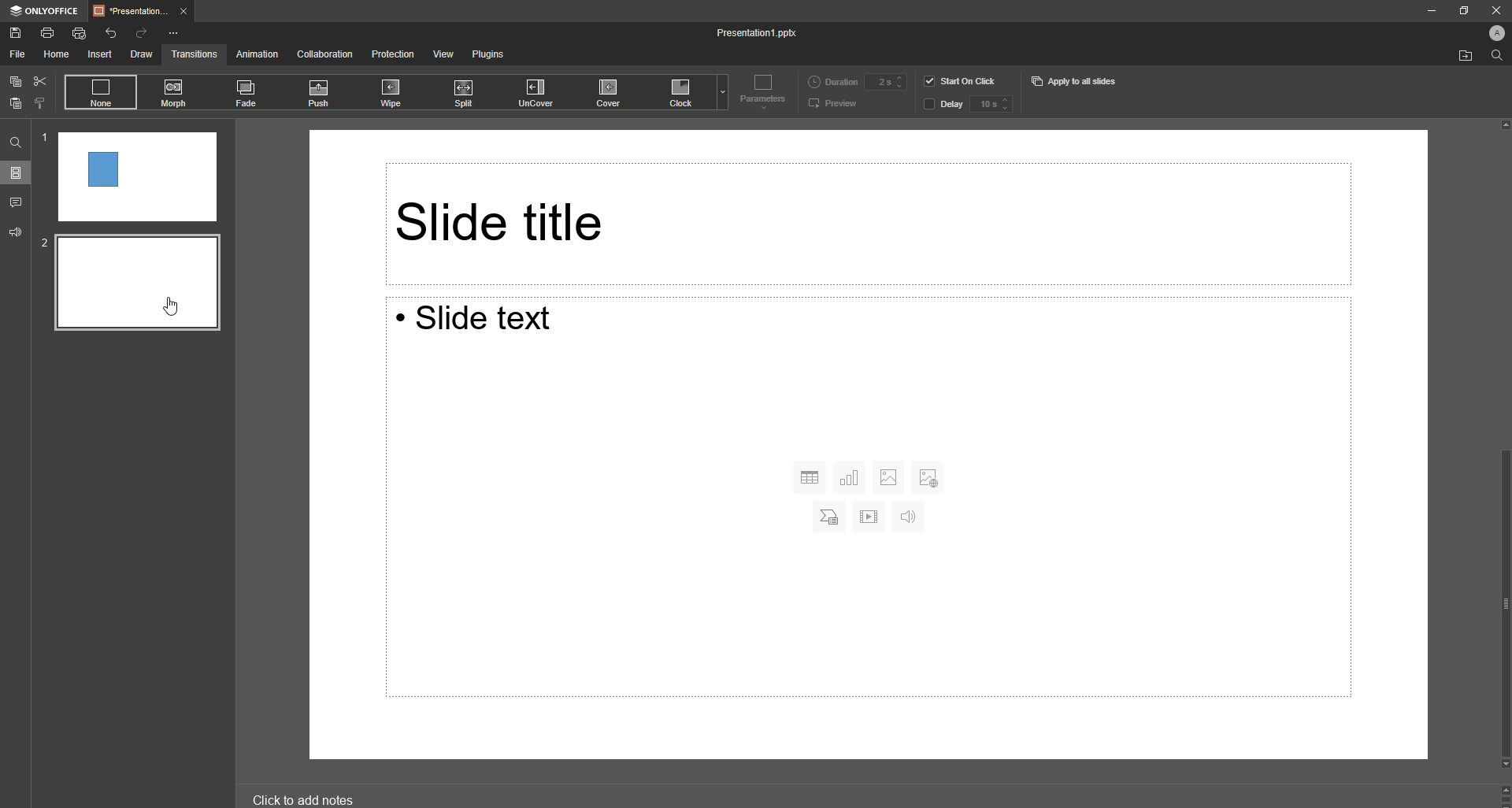  Describe the element at coordinates (911, 519) in the screenshot. I see `Audio sound` at that location.